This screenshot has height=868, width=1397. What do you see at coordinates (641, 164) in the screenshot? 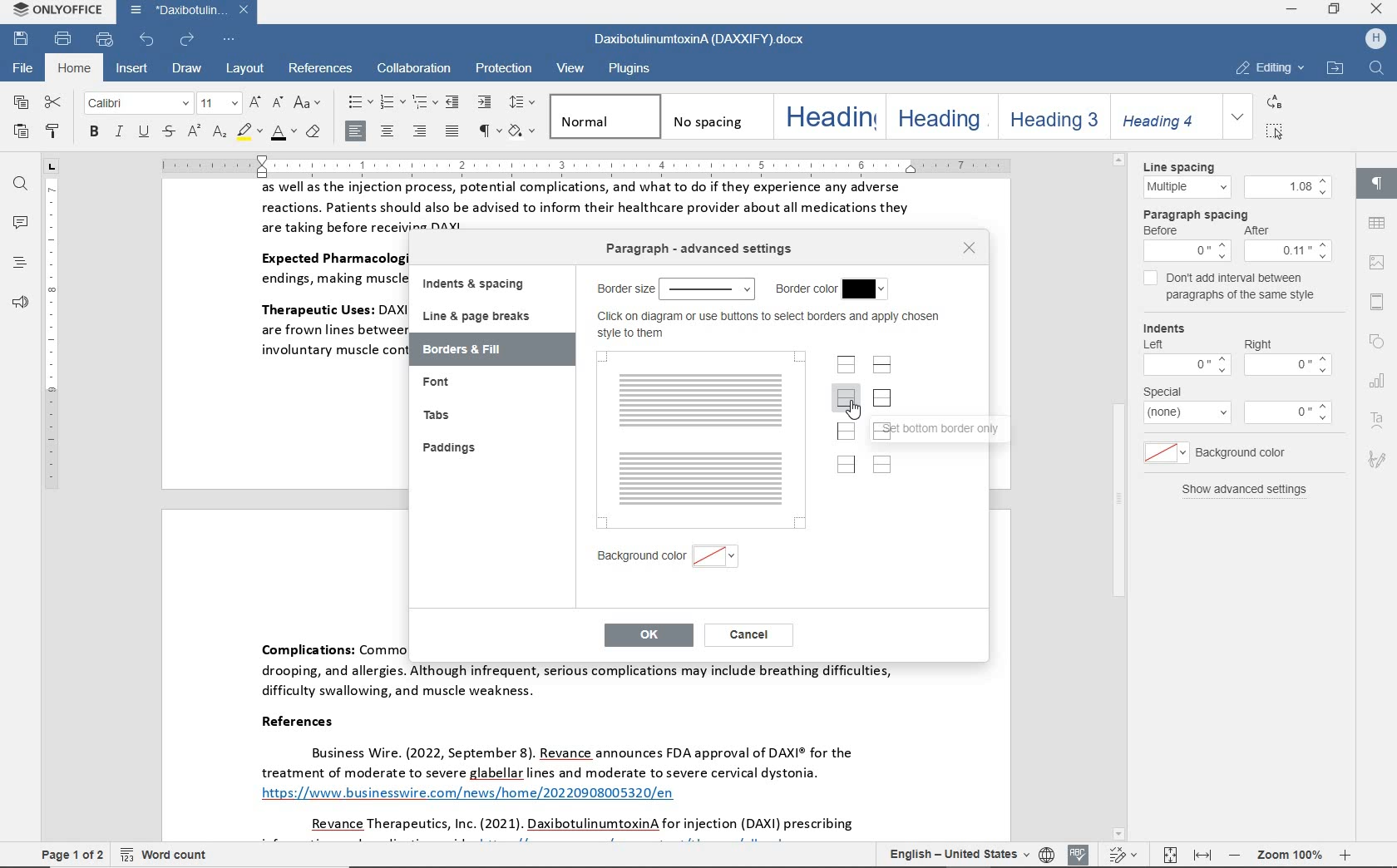
I see `ruler` at bounding box center [641, 164].